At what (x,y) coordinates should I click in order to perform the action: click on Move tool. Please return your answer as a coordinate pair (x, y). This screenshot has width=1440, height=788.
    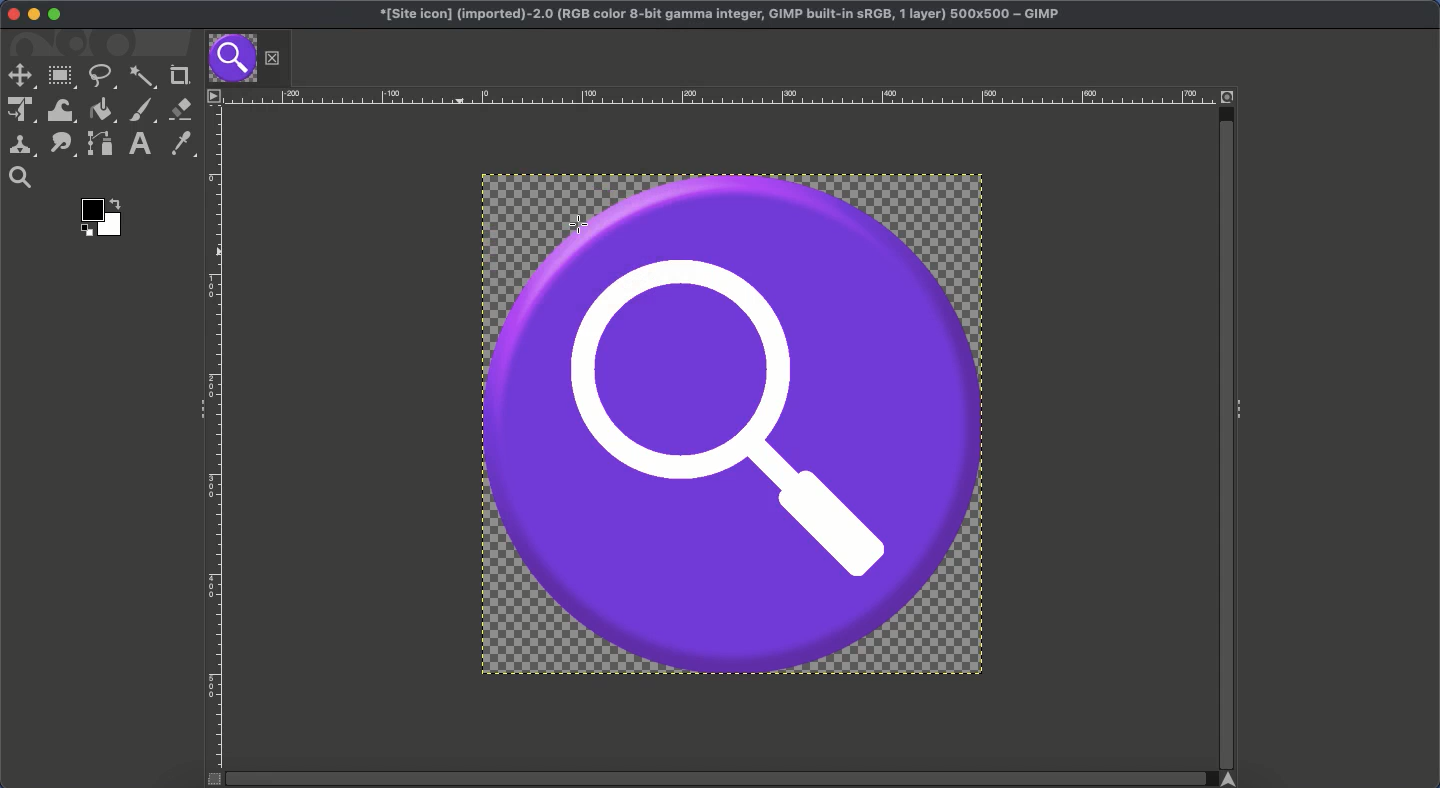
    Looking at the image, I should click on (20, 74).